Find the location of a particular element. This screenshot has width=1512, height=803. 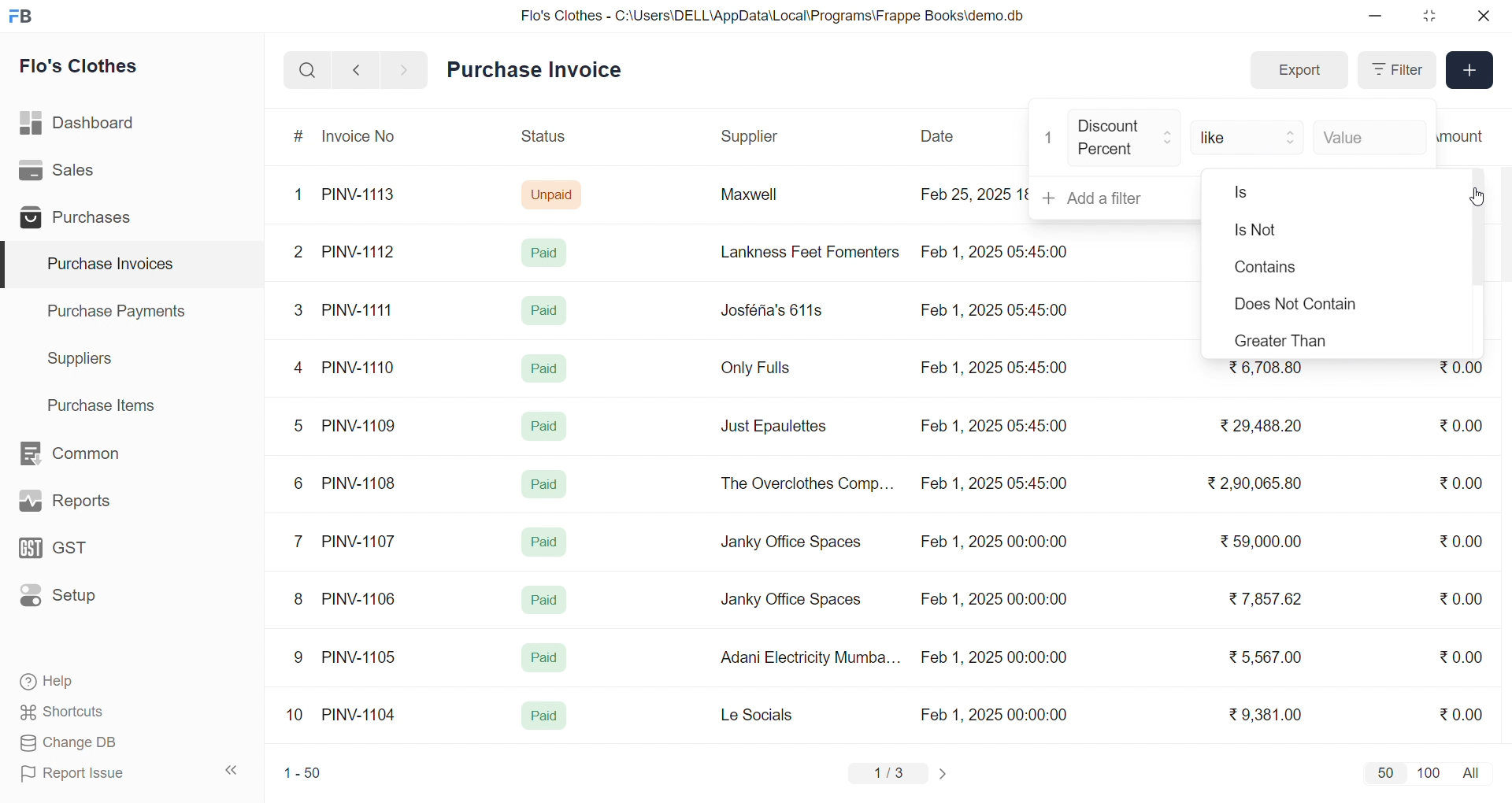

Value is located at coordinates (1369, 135).